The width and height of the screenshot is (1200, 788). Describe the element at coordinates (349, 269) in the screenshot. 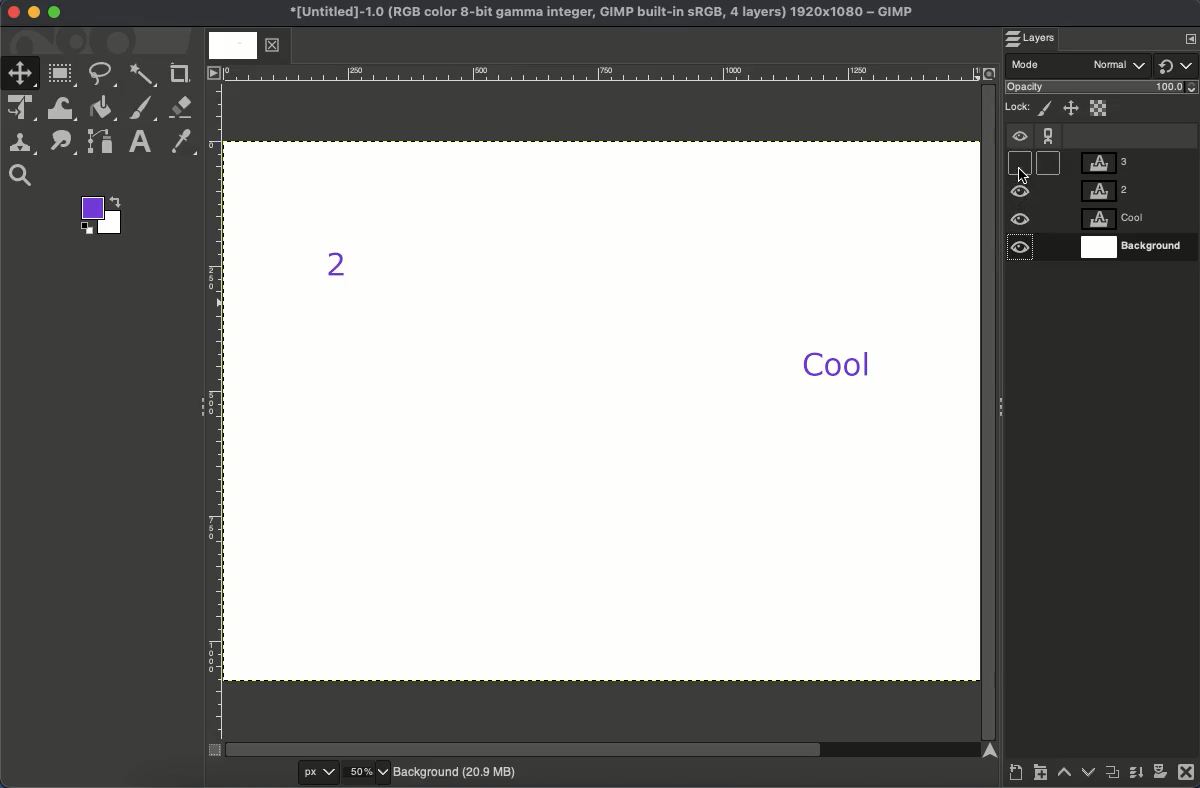

I see `2` at that location.